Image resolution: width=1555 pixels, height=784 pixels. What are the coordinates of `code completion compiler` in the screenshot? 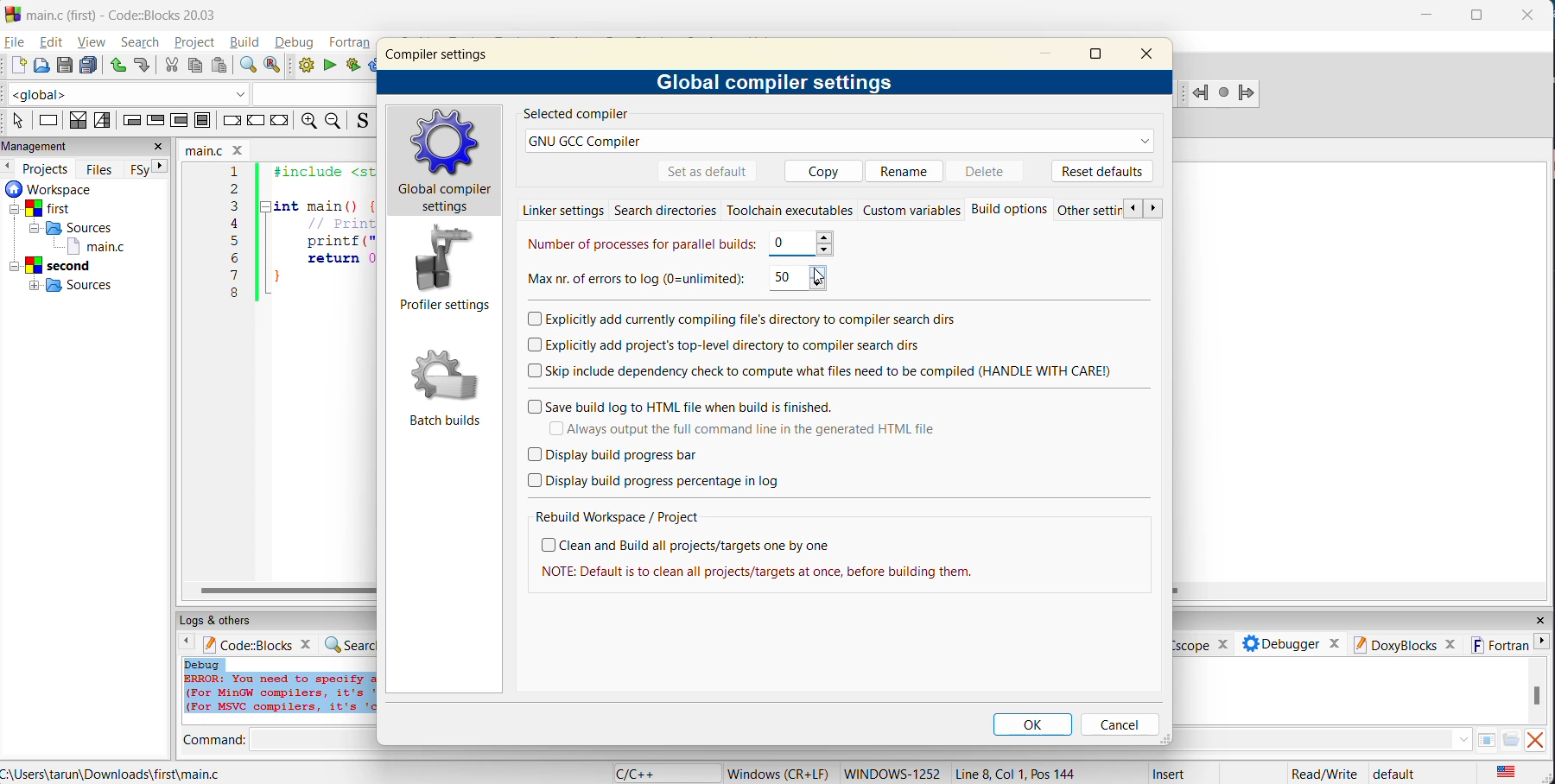 It's located at (184, 97).